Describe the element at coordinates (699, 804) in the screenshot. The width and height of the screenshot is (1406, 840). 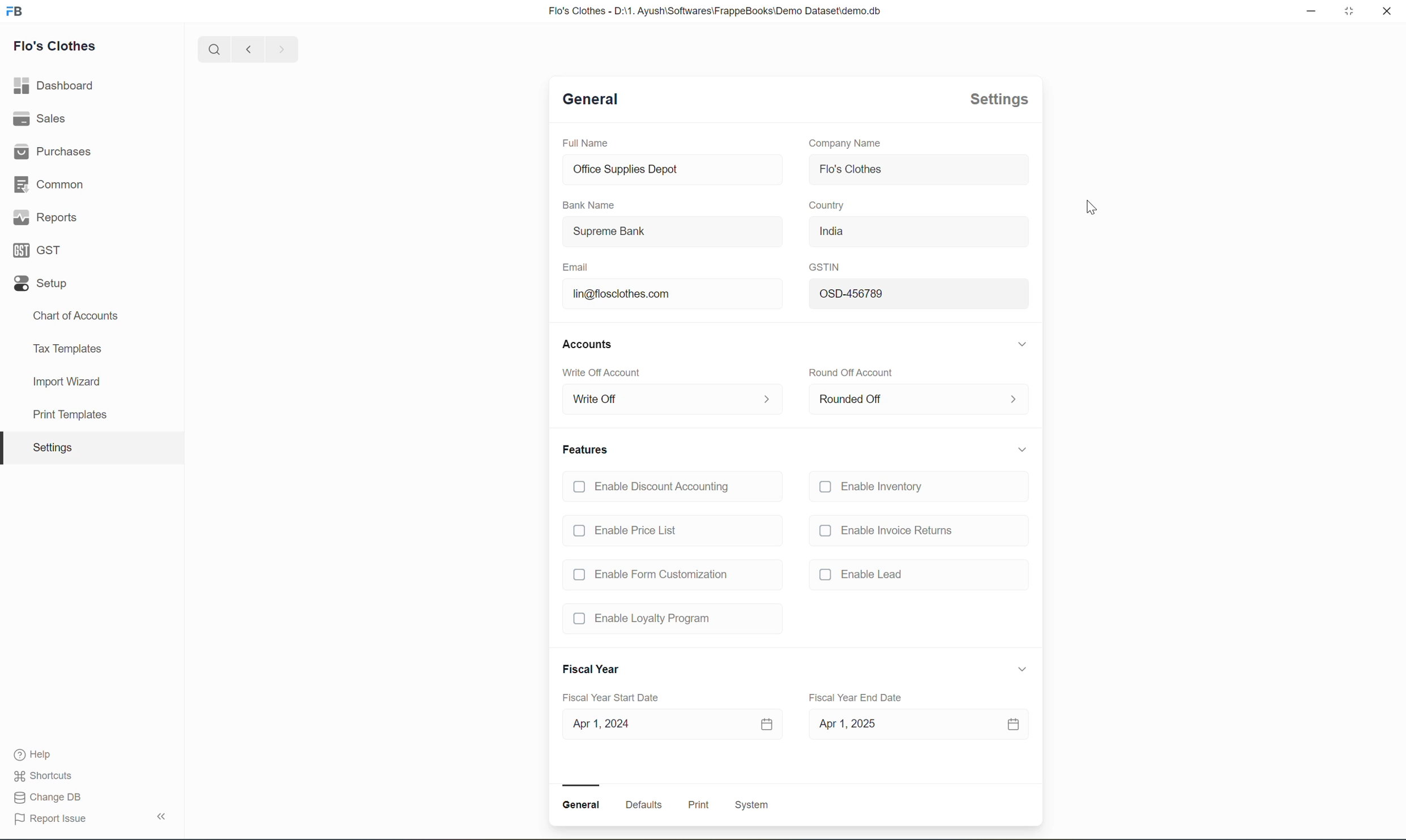
I see `Print` at that location.